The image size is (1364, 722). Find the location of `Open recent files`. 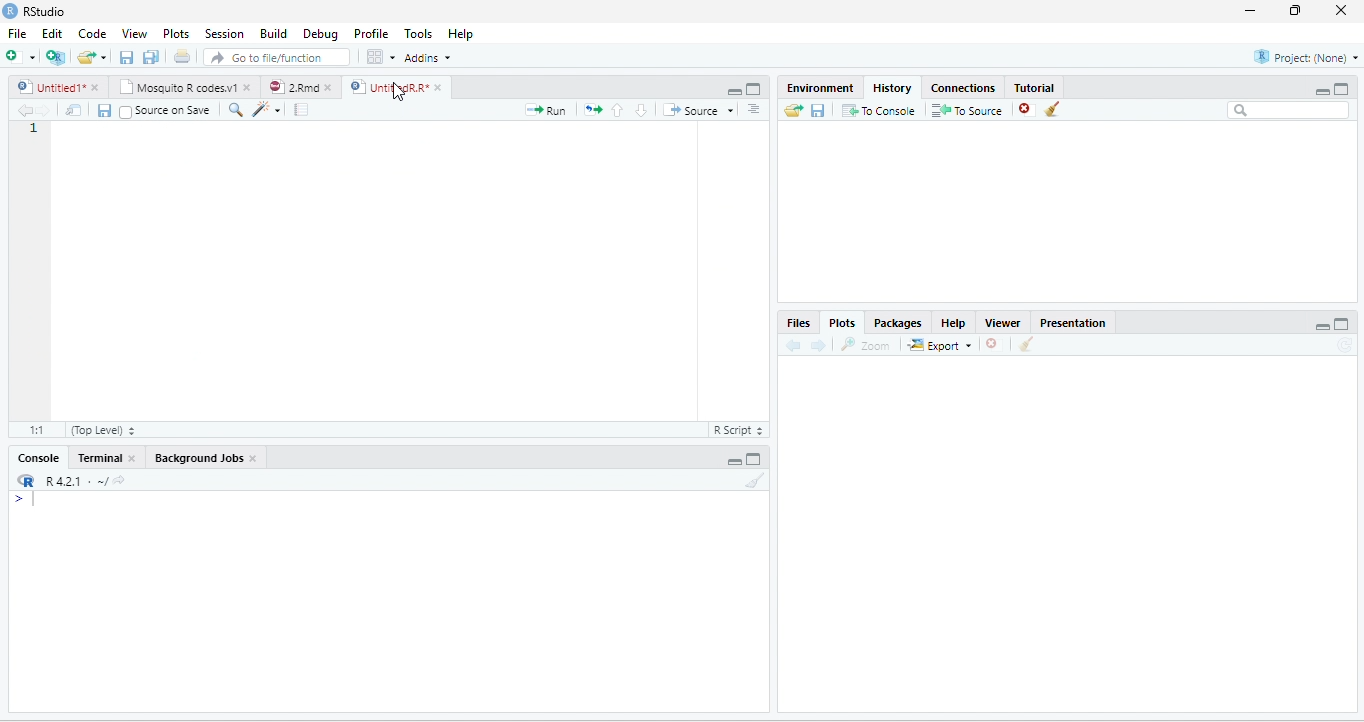

Open recent files is located at coordinates (103, 57).